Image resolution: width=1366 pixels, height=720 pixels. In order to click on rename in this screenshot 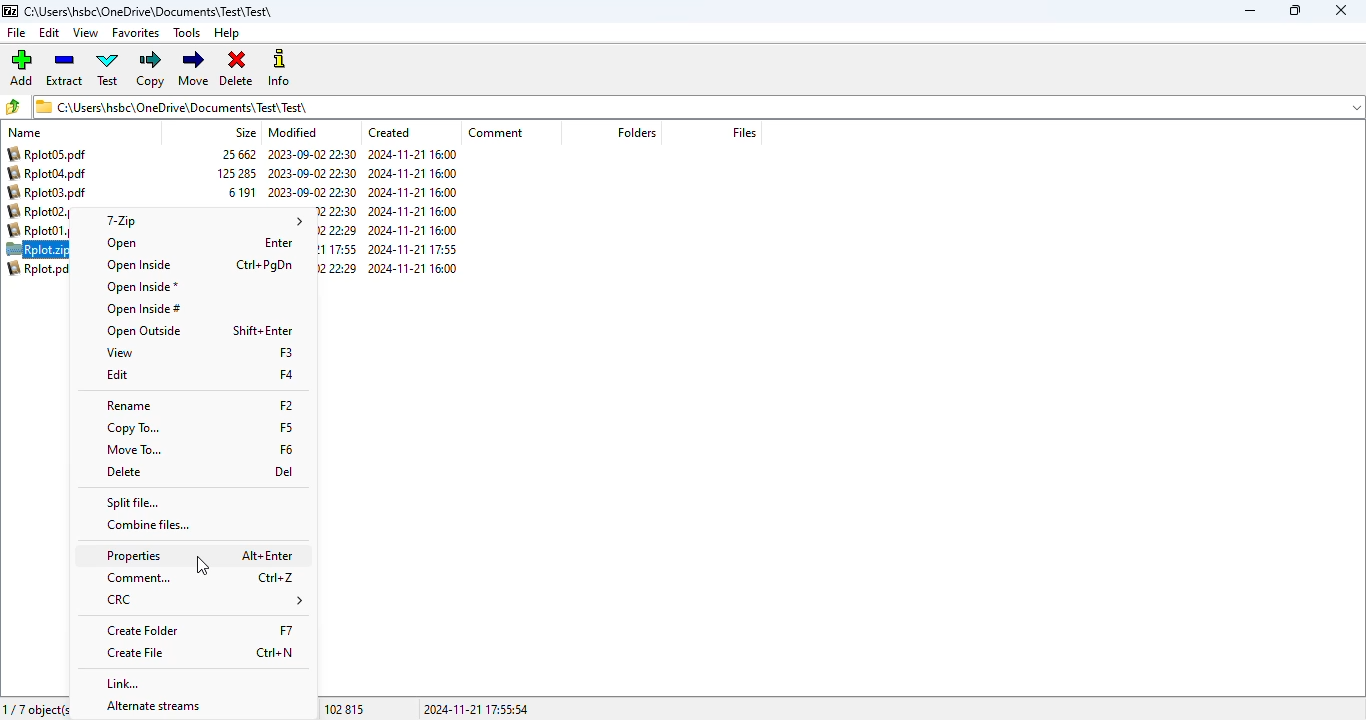, I will do `click(131, 406)`.